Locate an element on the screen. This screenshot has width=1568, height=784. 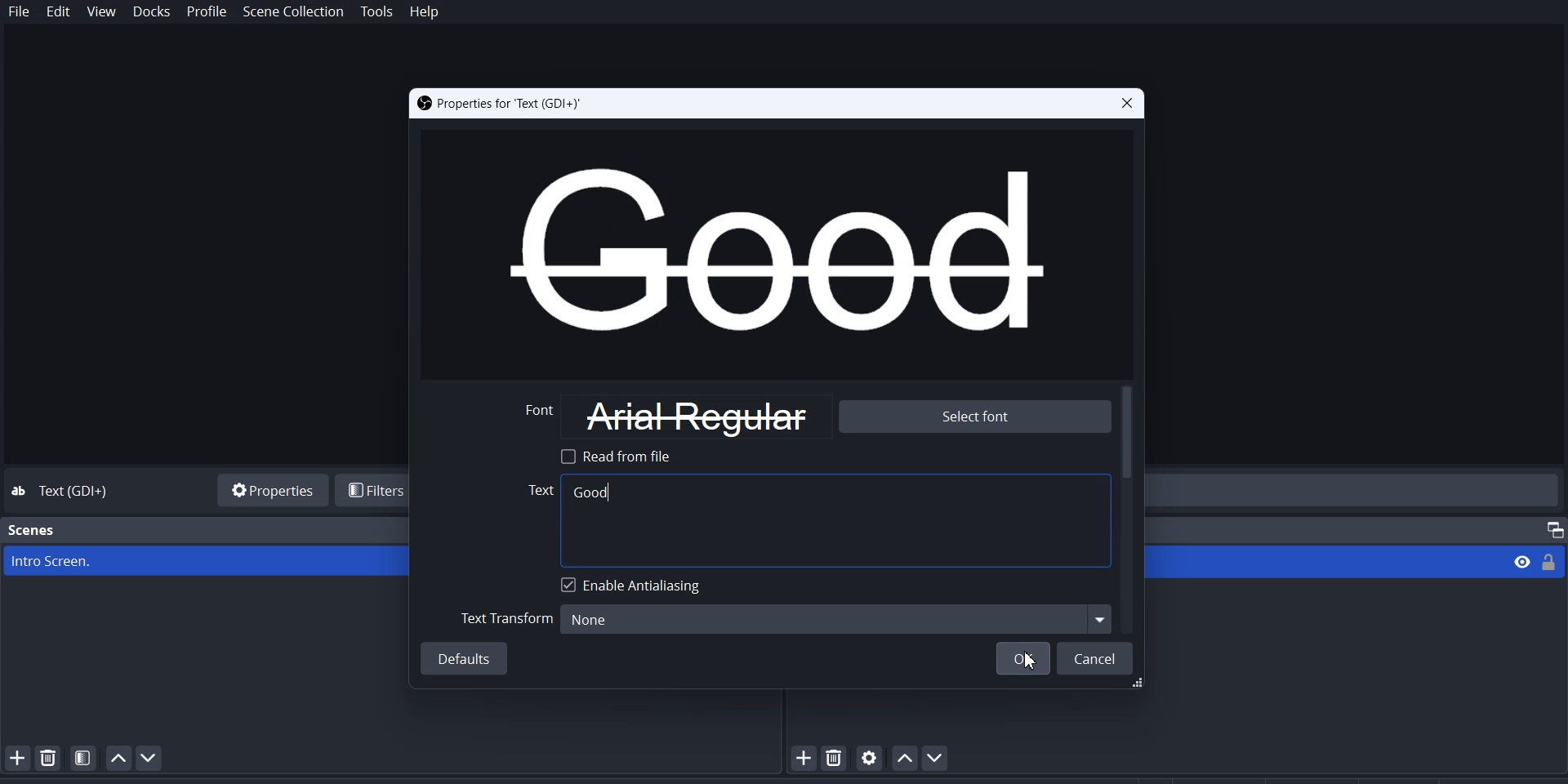
Font is located at coordinates (543, 416).